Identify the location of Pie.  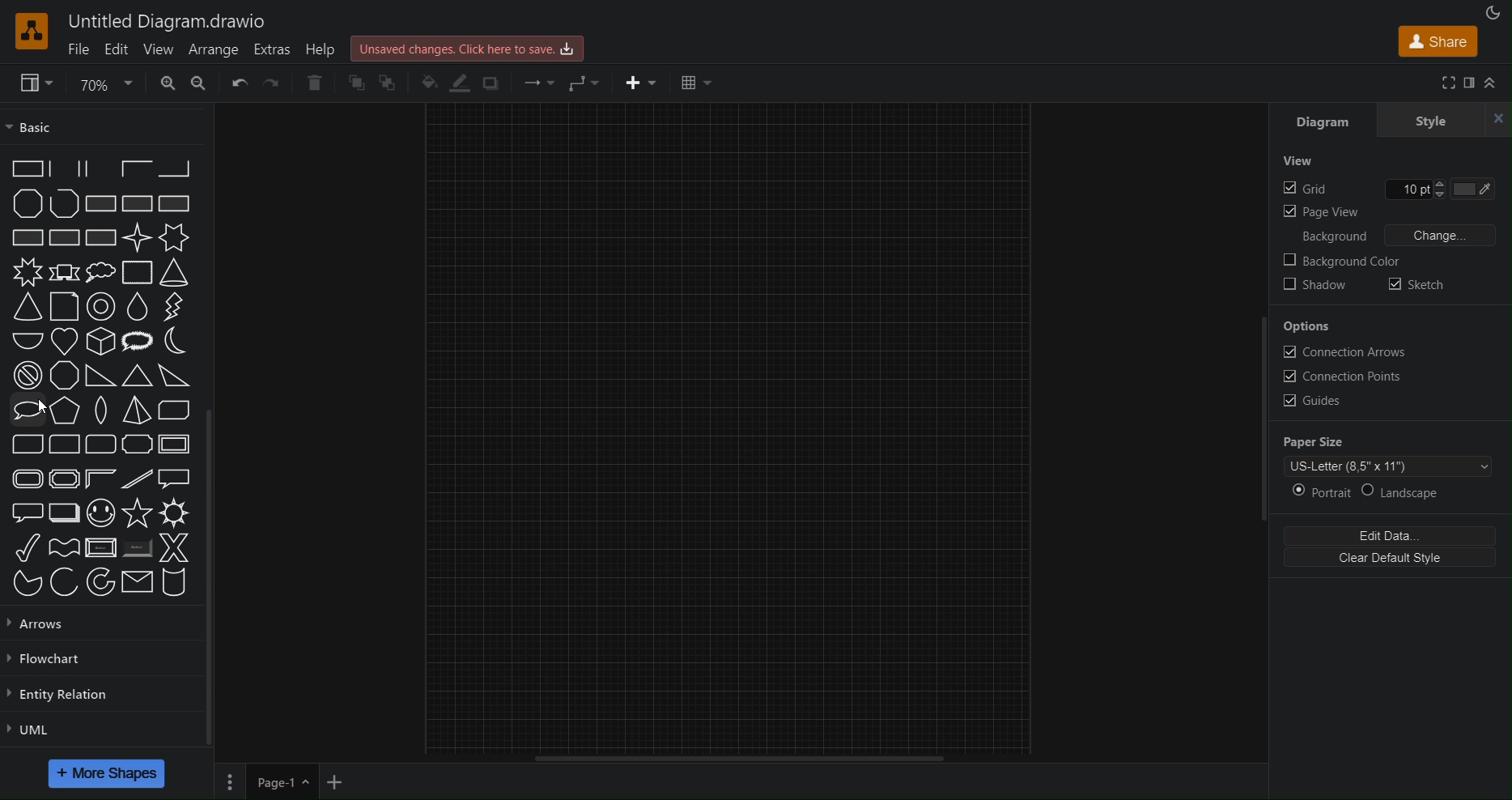
(27, 583).